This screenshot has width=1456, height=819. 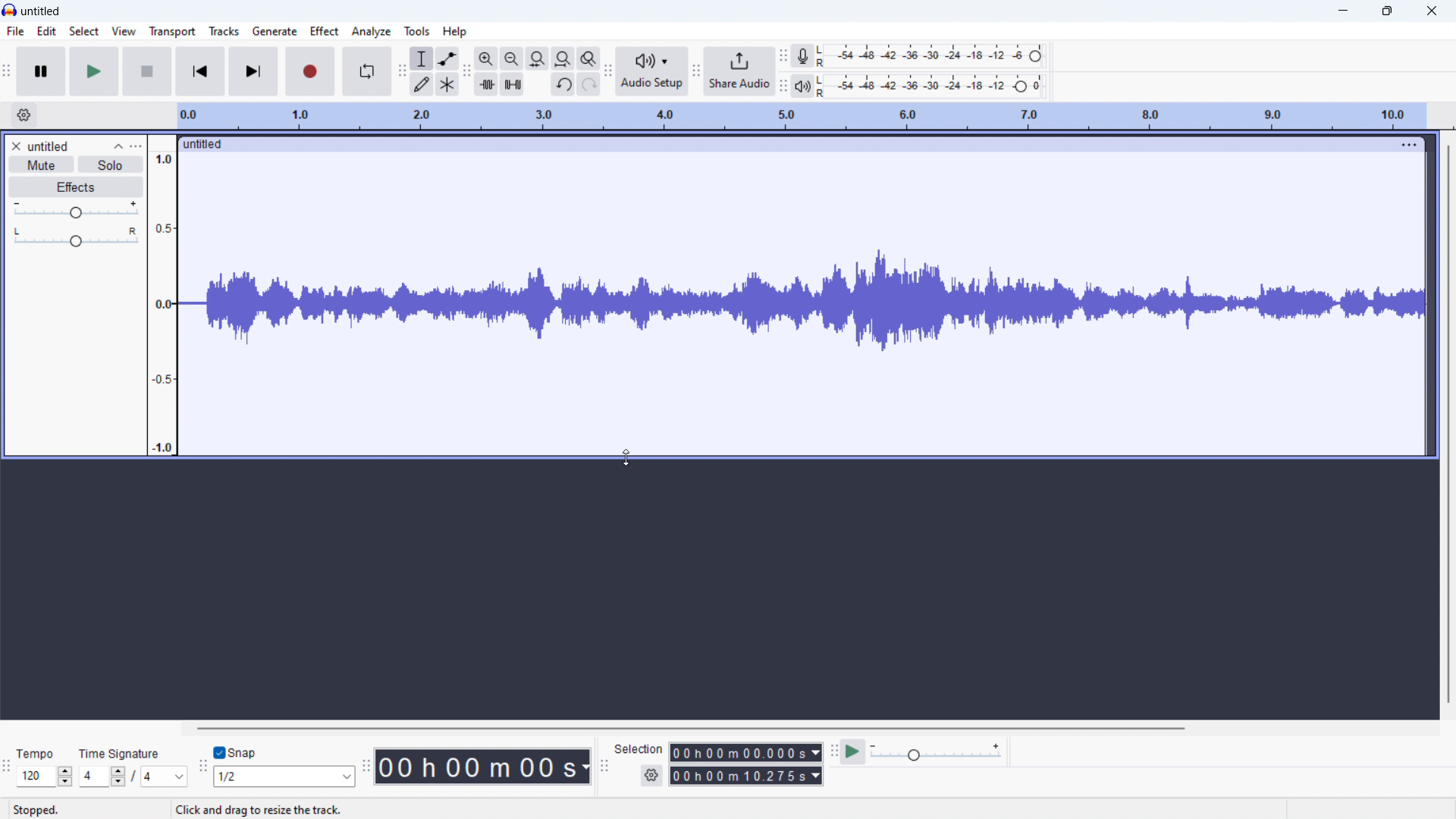 I want to click on time signature toolbar, so click(x=6, y=768).